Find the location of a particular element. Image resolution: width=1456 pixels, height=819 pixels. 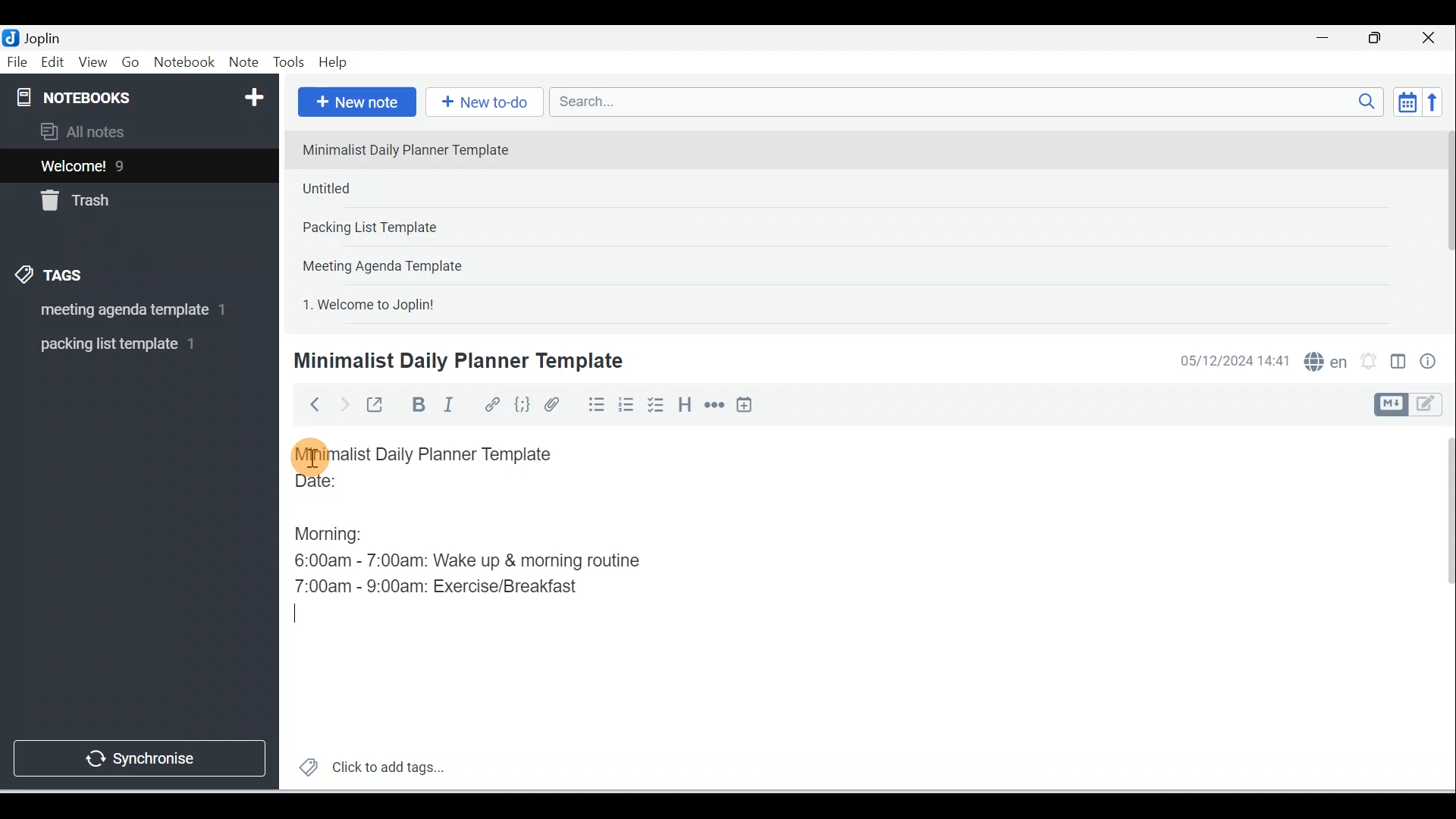

Insert time is located at coordinates (744, 406).